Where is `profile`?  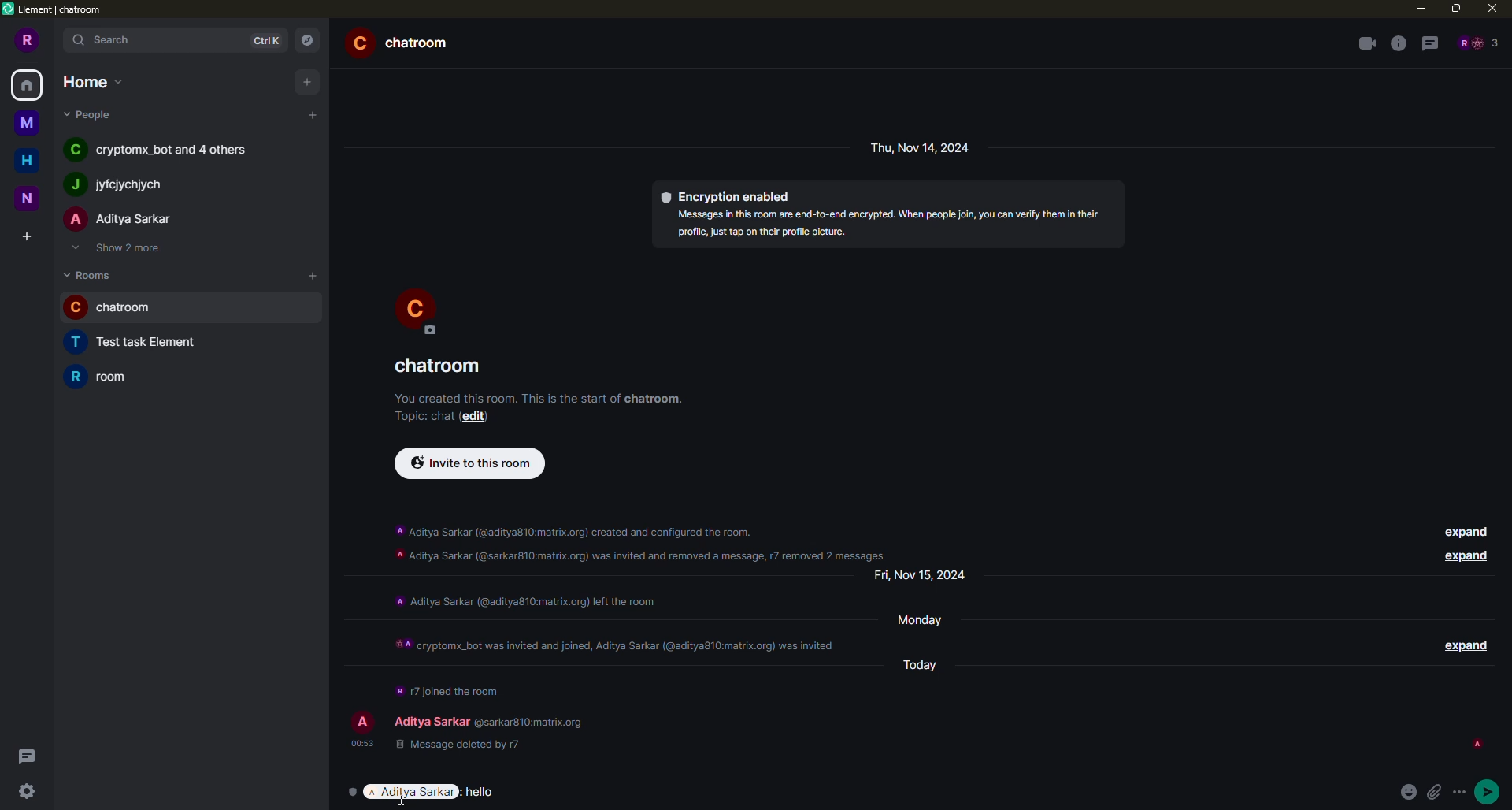
profile is located at coordinates (361, 722).